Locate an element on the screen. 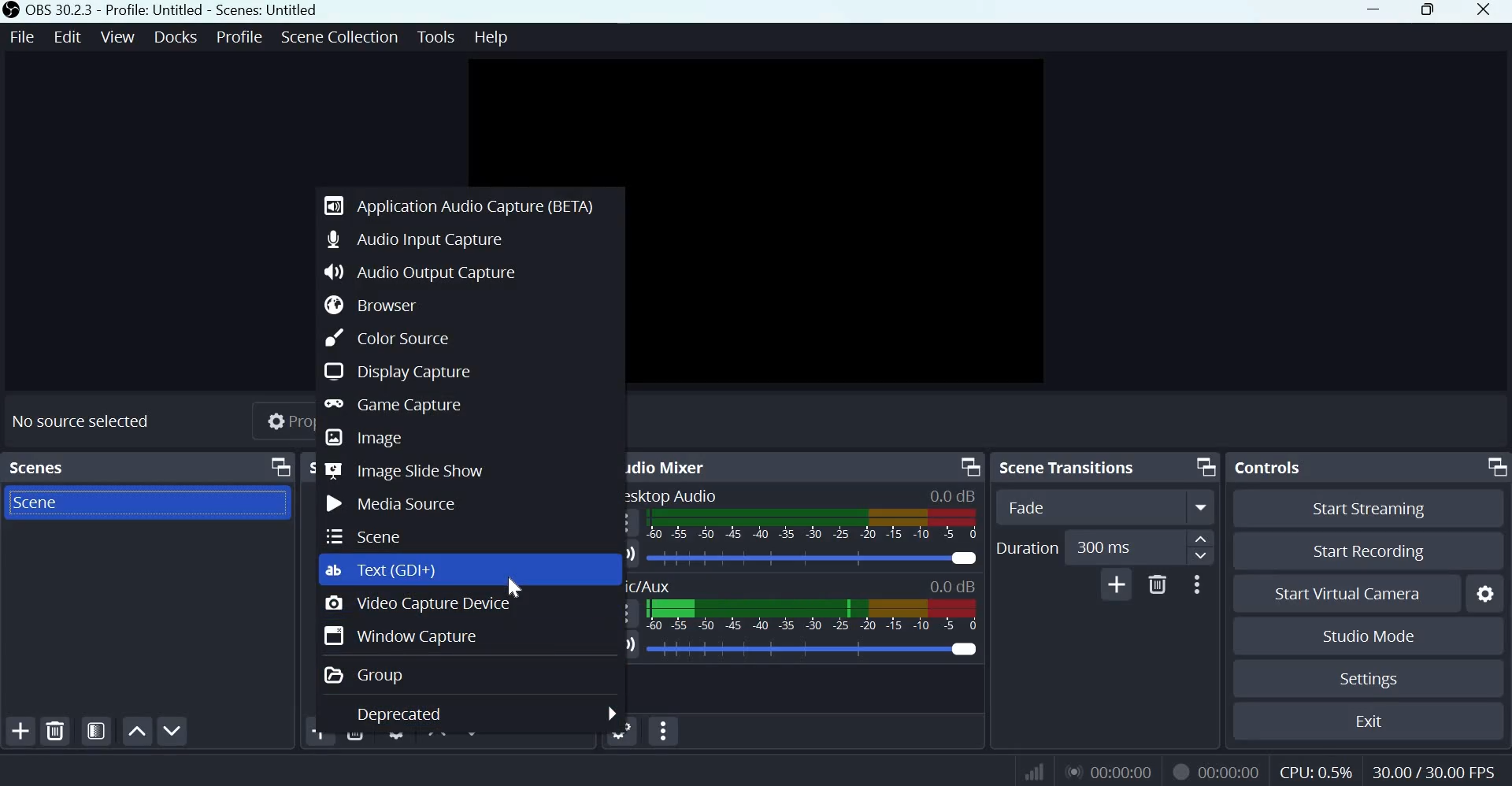 Image resolution: width=1512 pixels, height=786 pixels. Fade is located at coordinates (1074, 506).